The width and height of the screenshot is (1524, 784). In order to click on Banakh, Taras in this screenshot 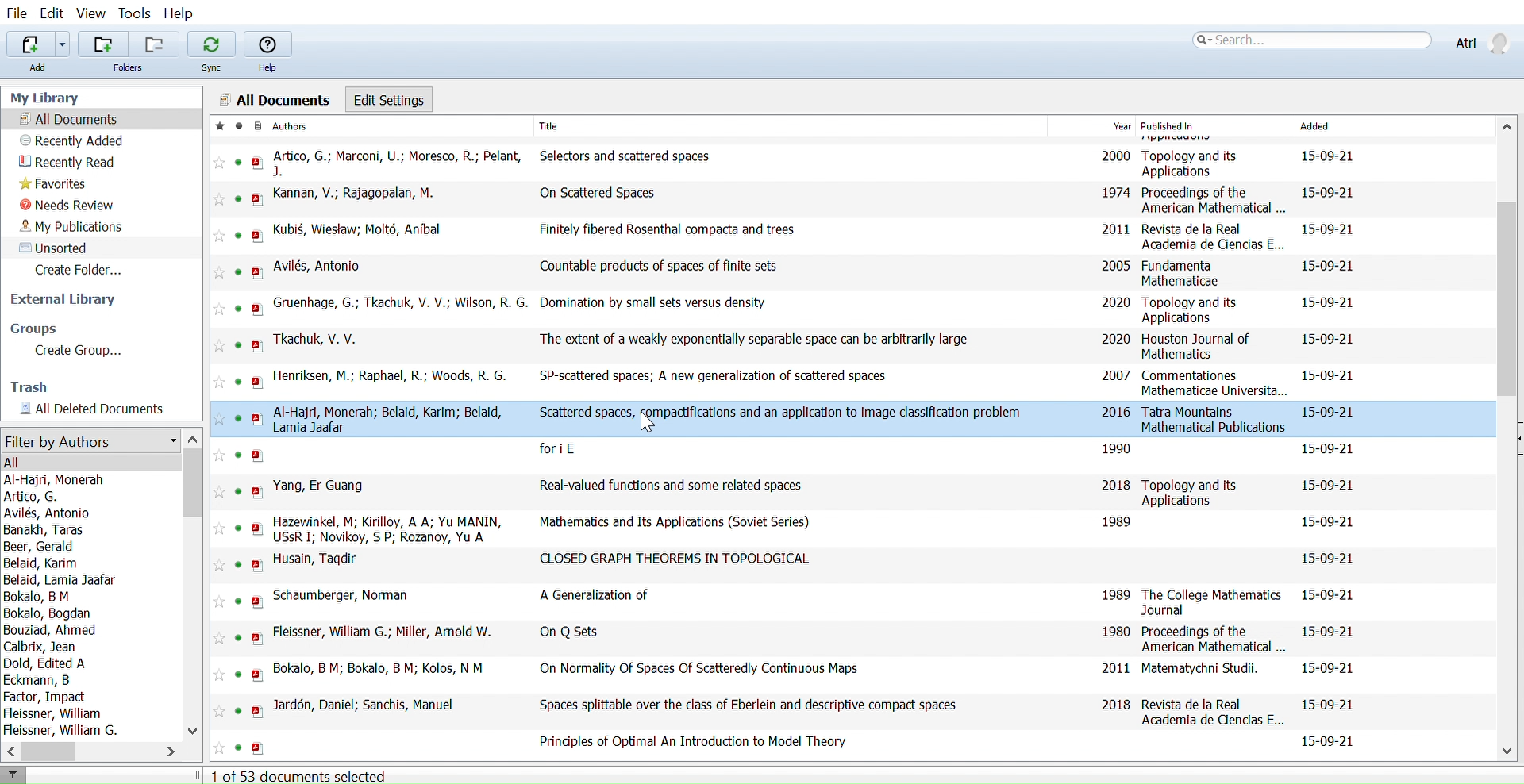, I will do `click(44, 531)`.